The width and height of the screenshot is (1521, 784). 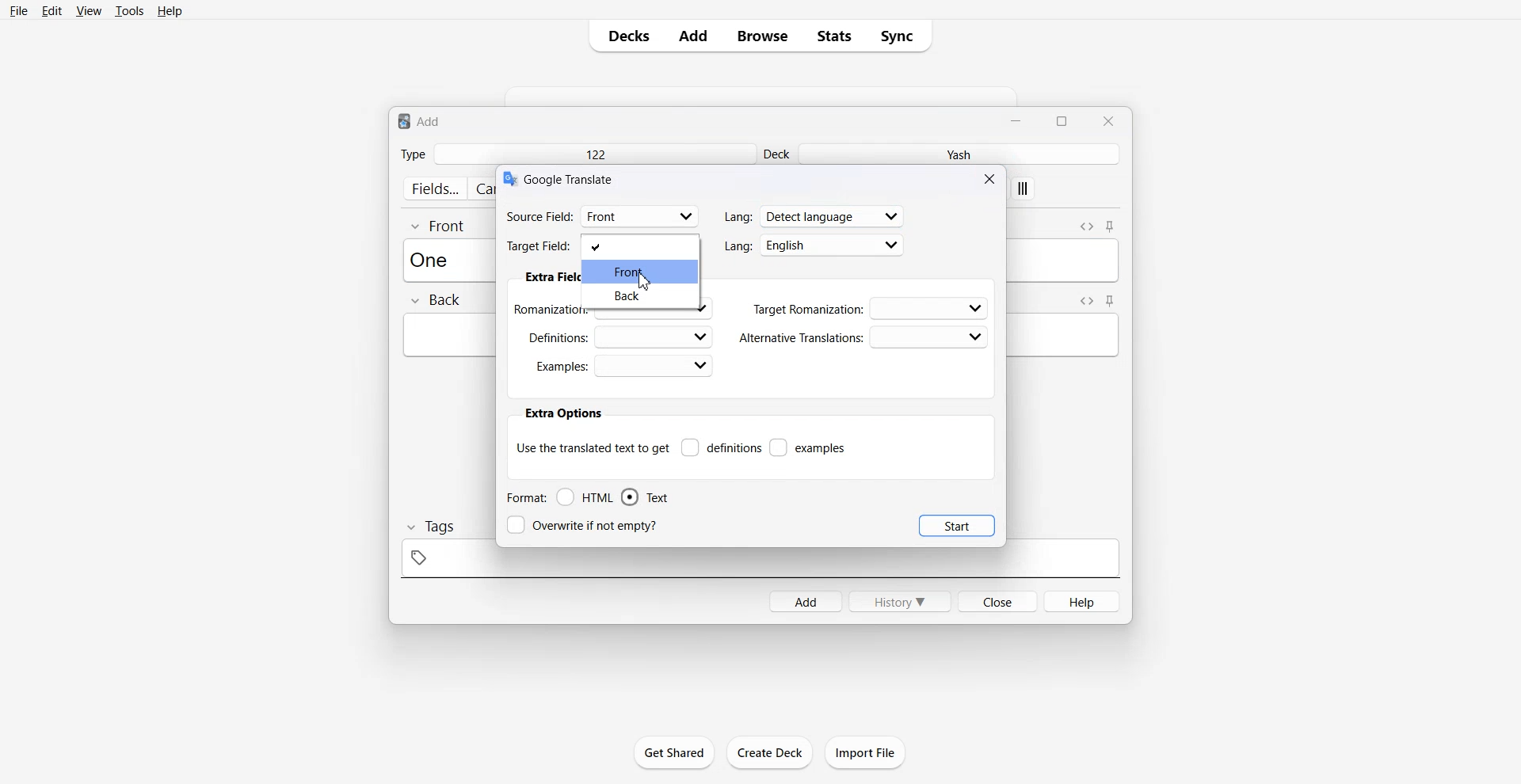 What do you see at coordinates (809, 447) in the screenshot?
I see `examples` at bounding box center [809, 447].